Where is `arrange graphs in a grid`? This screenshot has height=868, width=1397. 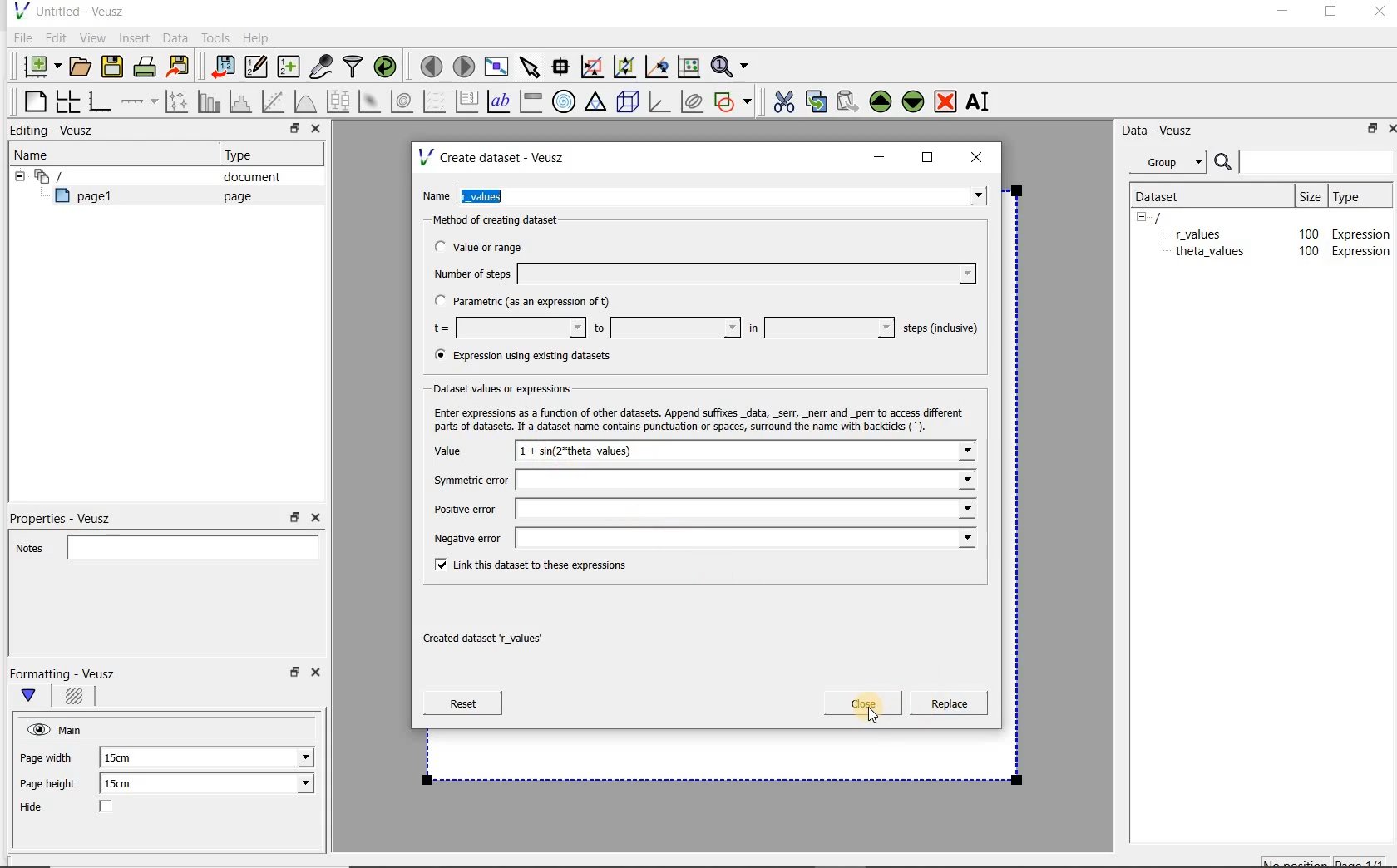 arrange graphs in a grid is located at coordinates (67, 101).